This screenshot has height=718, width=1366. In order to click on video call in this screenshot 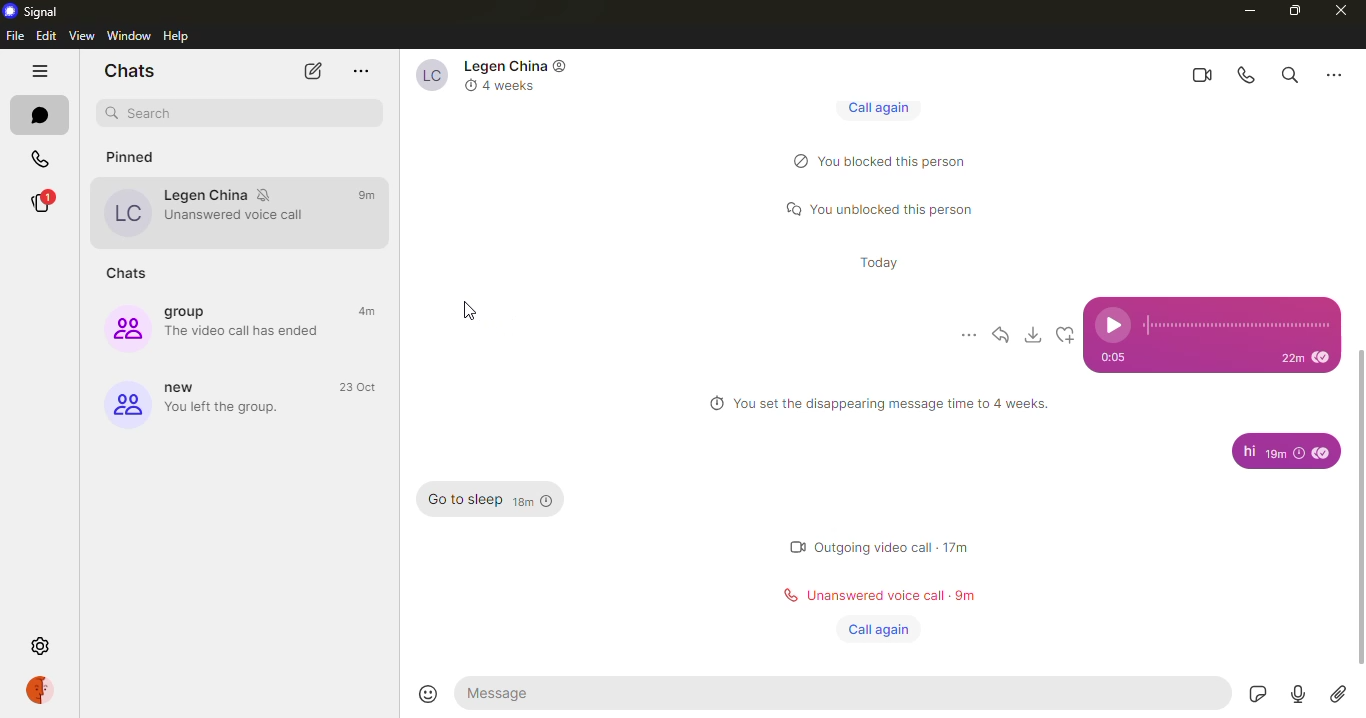, I will do `click(1196, 73)`.